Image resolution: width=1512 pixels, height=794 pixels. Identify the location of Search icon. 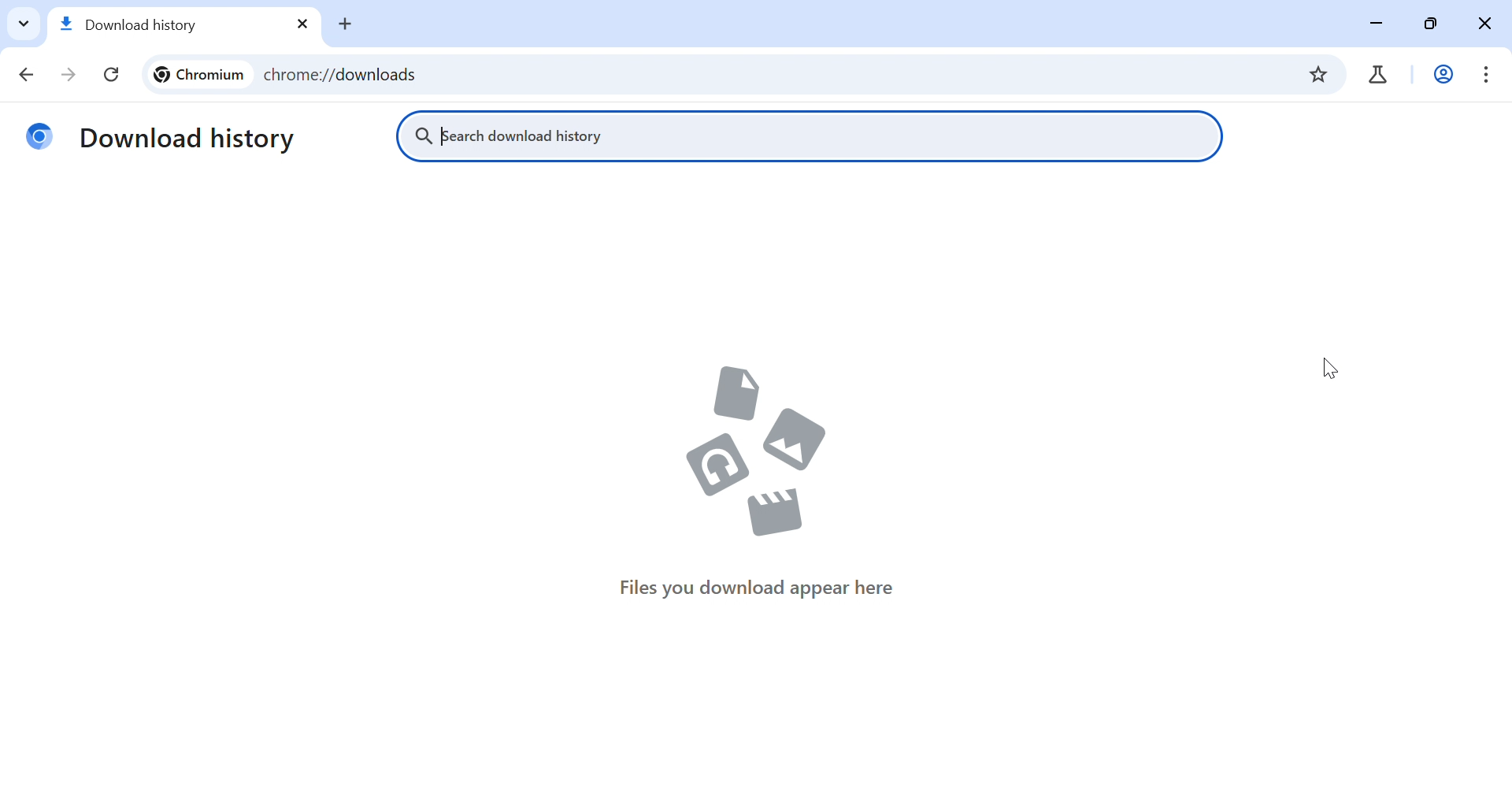
(423, 139).